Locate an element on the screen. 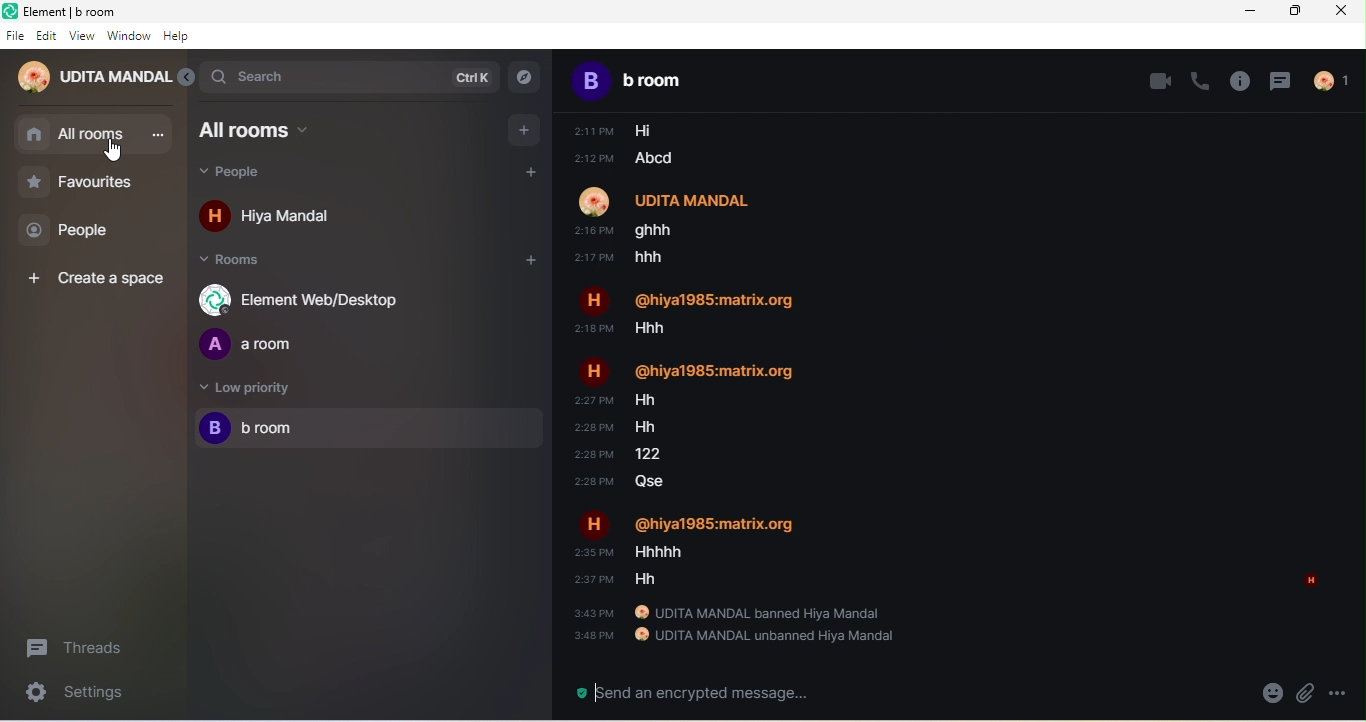 This screenshot has height=722, width=1366. collapse is located at coordinates (187, 80).